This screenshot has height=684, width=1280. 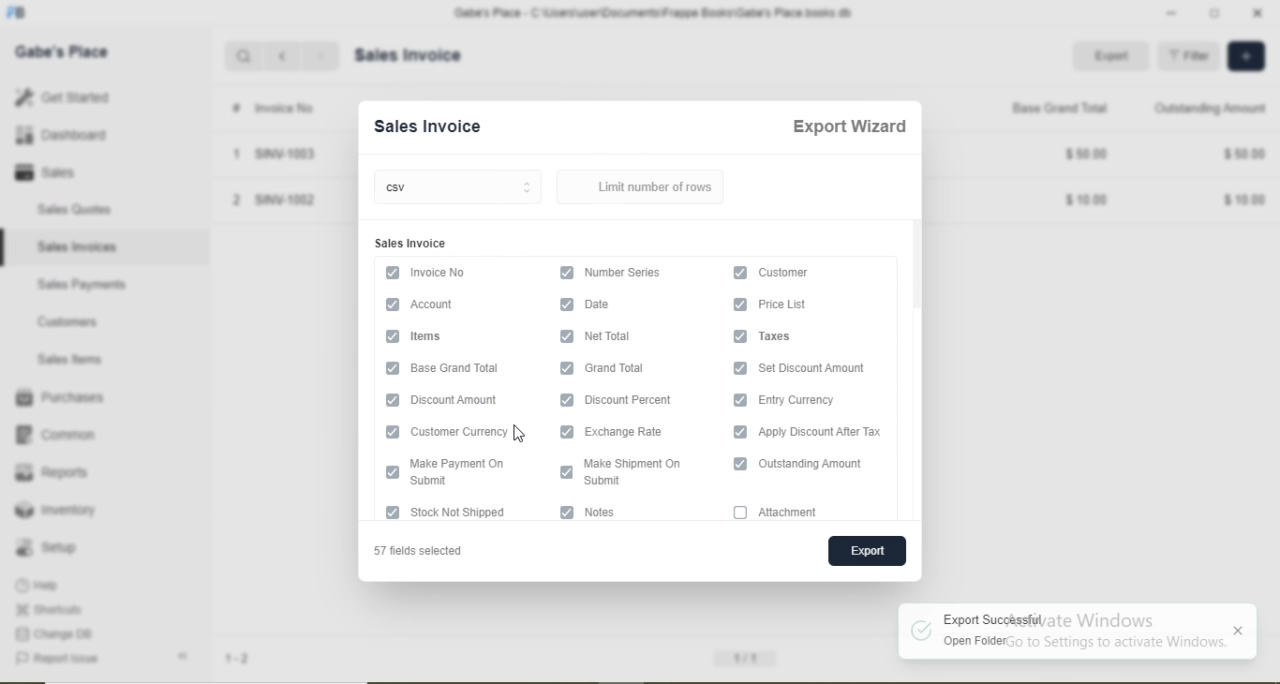 I want to click on minimise, so click(x=1171, y=12).